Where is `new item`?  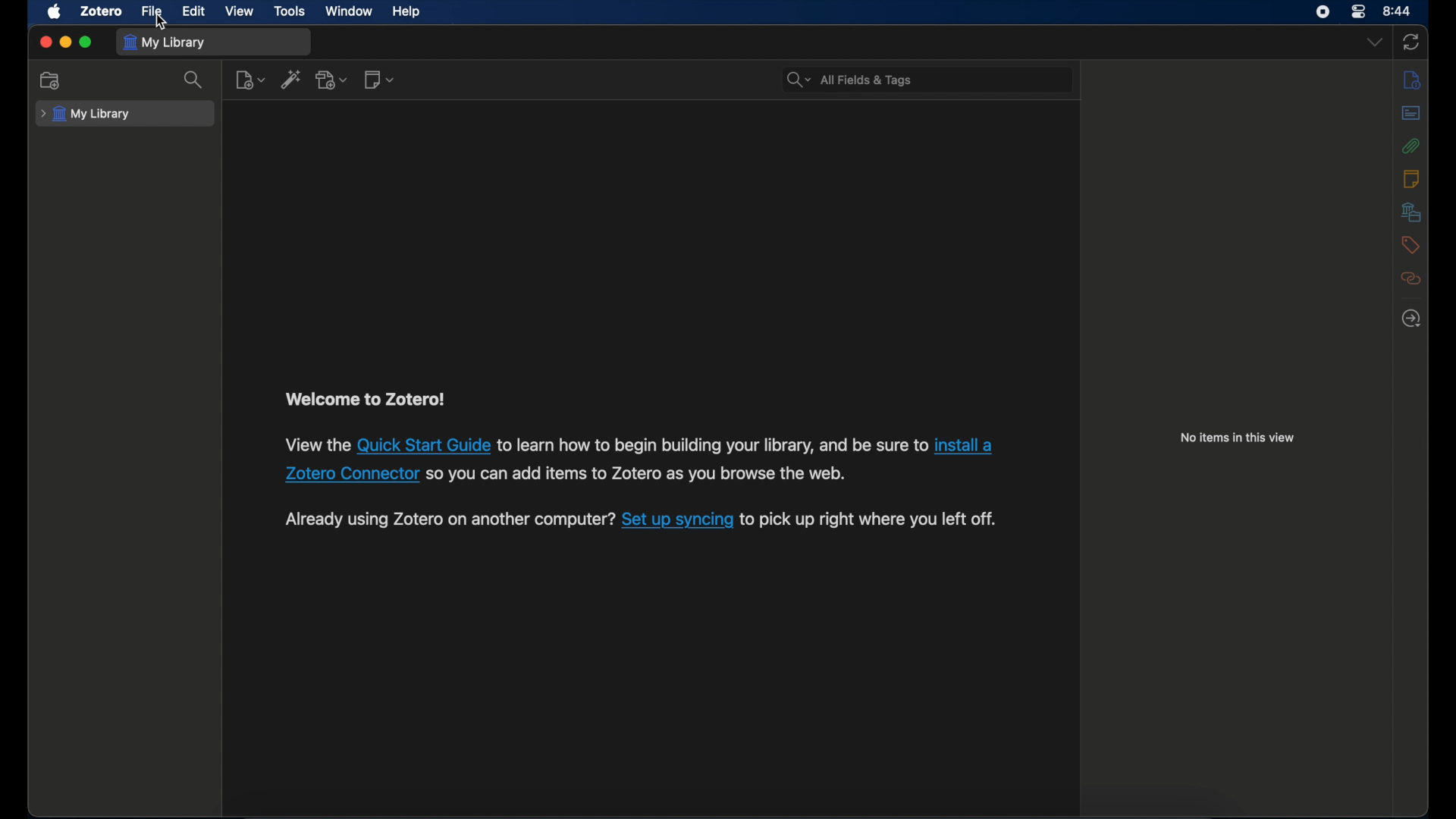 new item is located at coordinates (250, 80).